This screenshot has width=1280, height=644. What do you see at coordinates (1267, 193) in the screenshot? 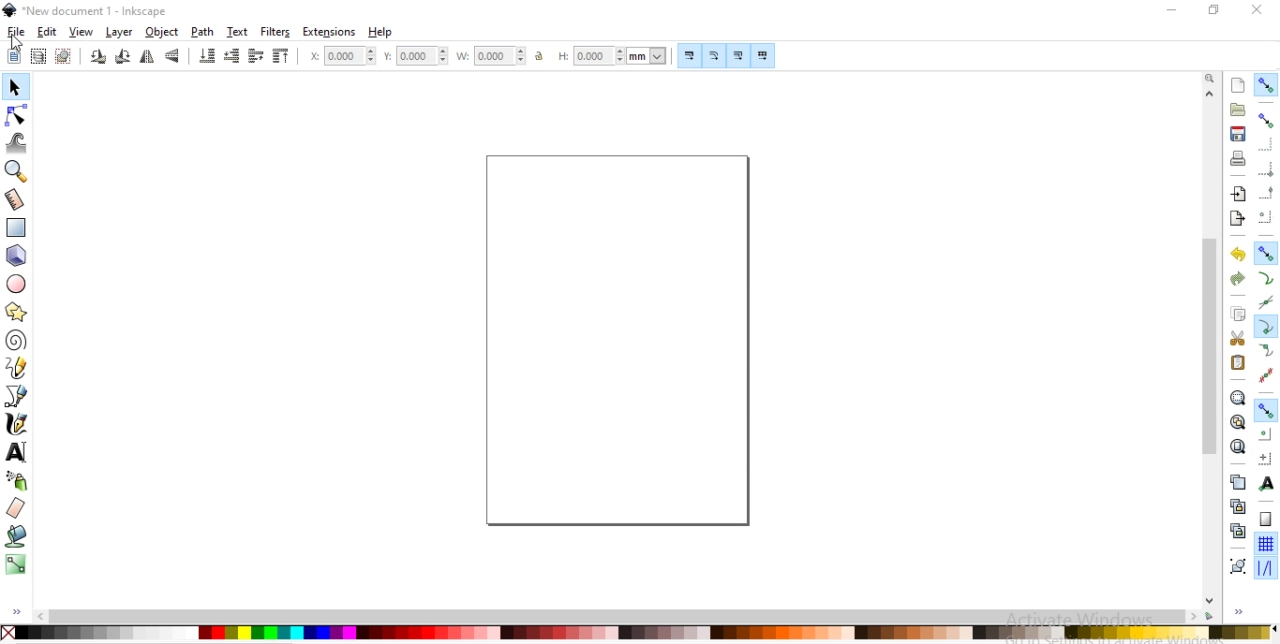
I see `snap midpoints of bounding box edges` at bounding box center [1267, 193].